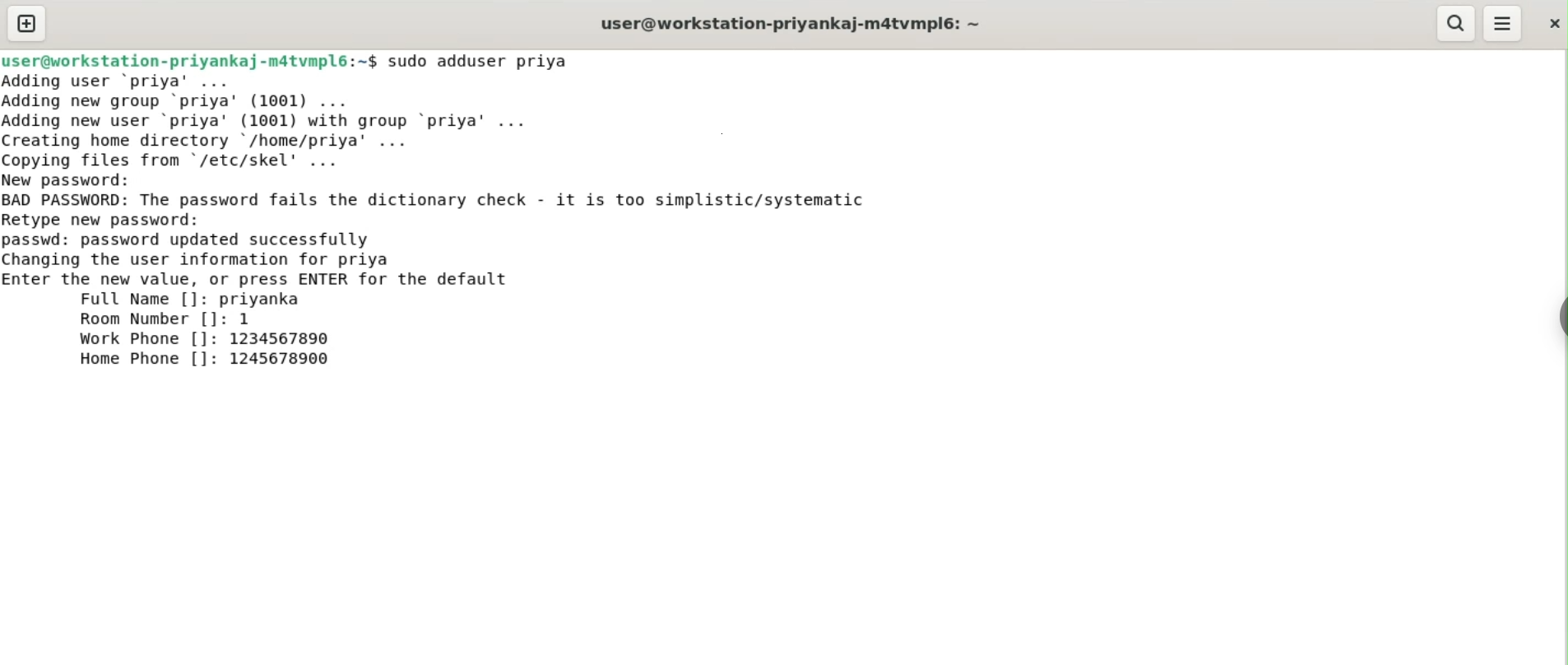  I want to click on full name []:, so click(140, 300).